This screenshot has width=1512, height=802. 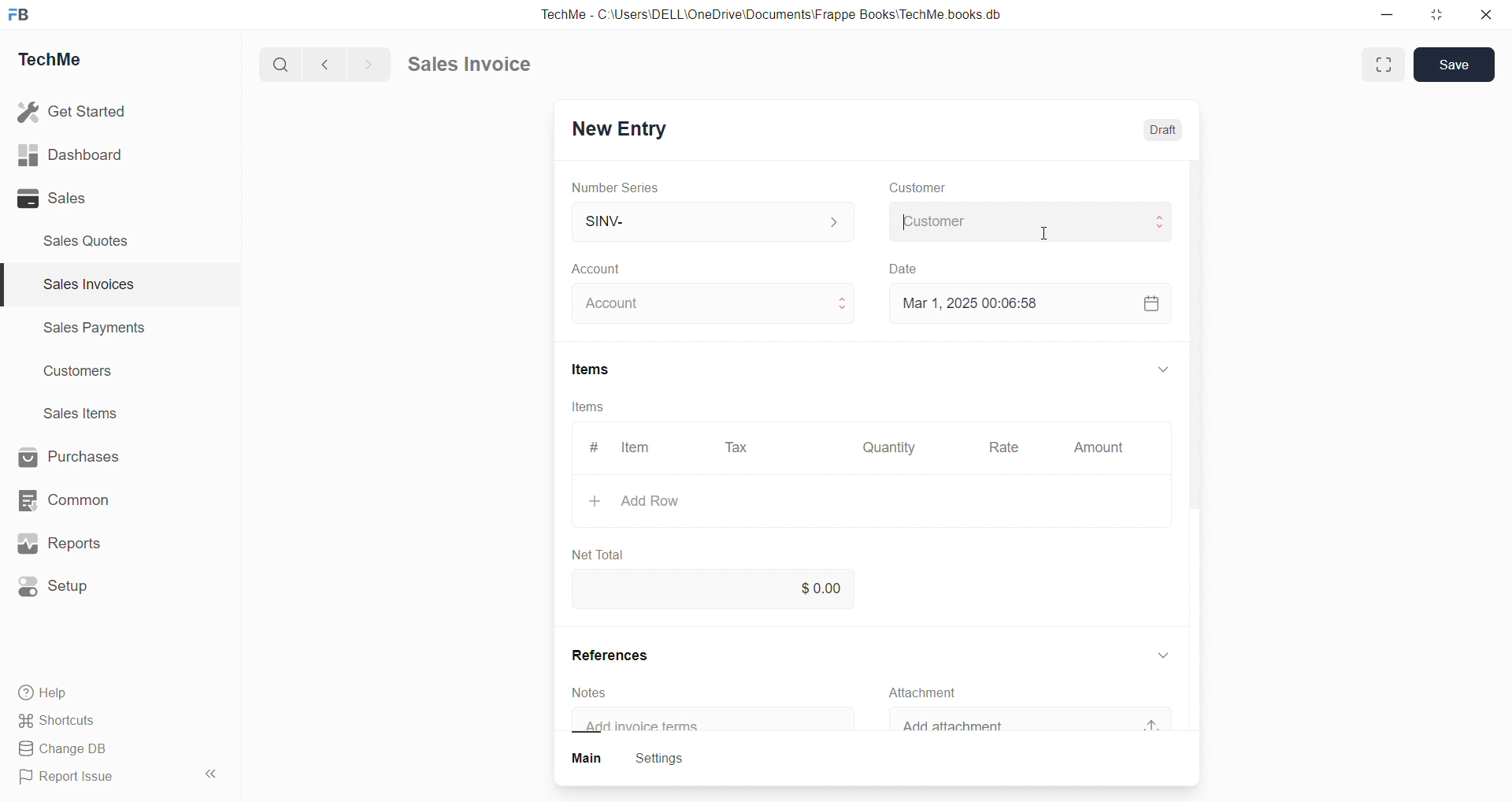 I want to click on $0.00, so click(x=826, y=586).